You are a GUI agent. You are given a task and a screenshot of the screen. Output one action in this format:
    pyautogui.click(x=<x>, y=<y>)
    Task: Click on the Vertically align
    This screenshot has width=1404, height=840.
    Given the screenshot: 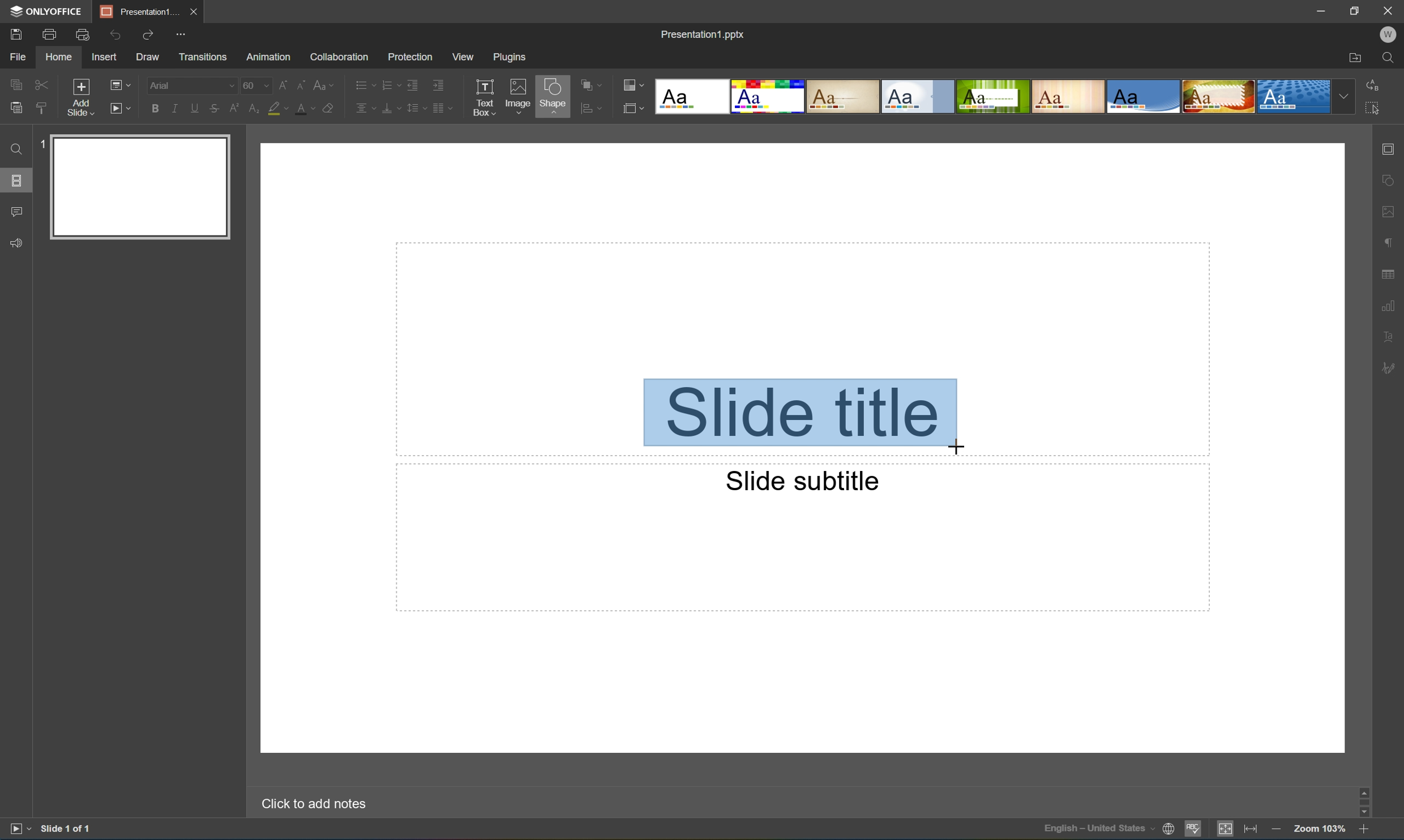 What is the action you would take?
    pyautogui.click(x=389, y=107)
    